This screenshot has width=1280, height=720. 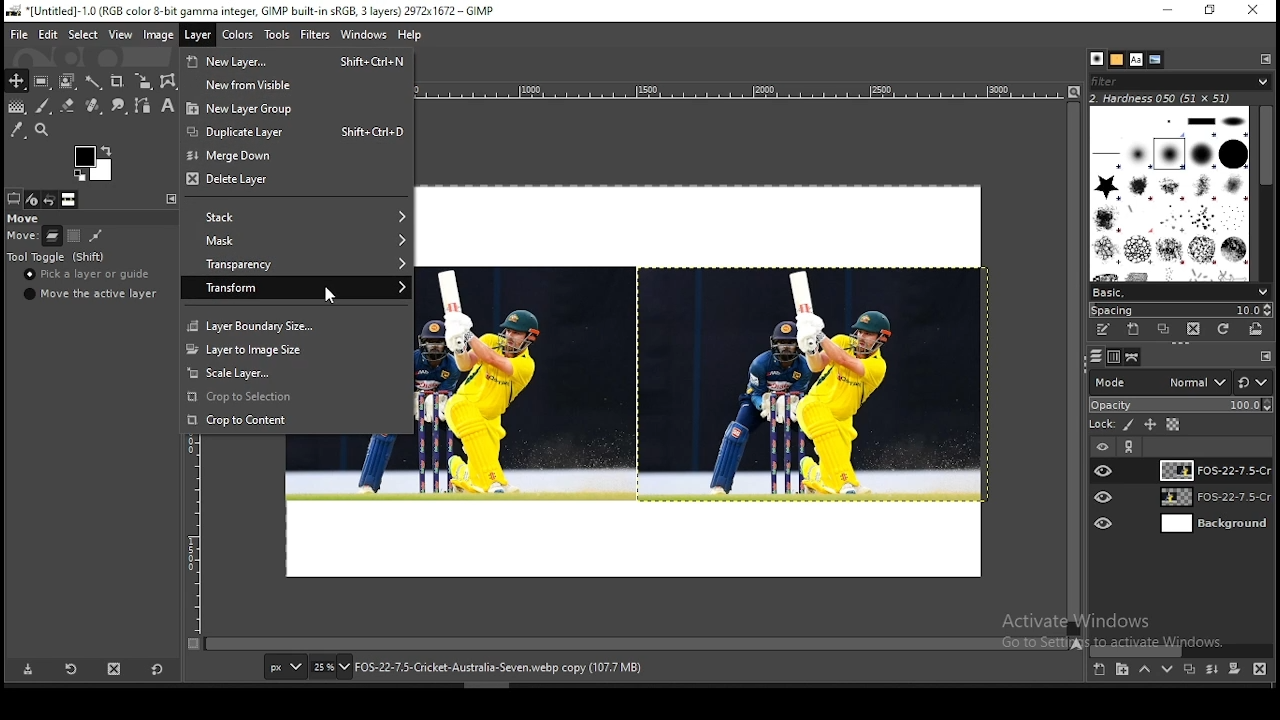 I want to click on spacing, so click(x=1180, y=309).